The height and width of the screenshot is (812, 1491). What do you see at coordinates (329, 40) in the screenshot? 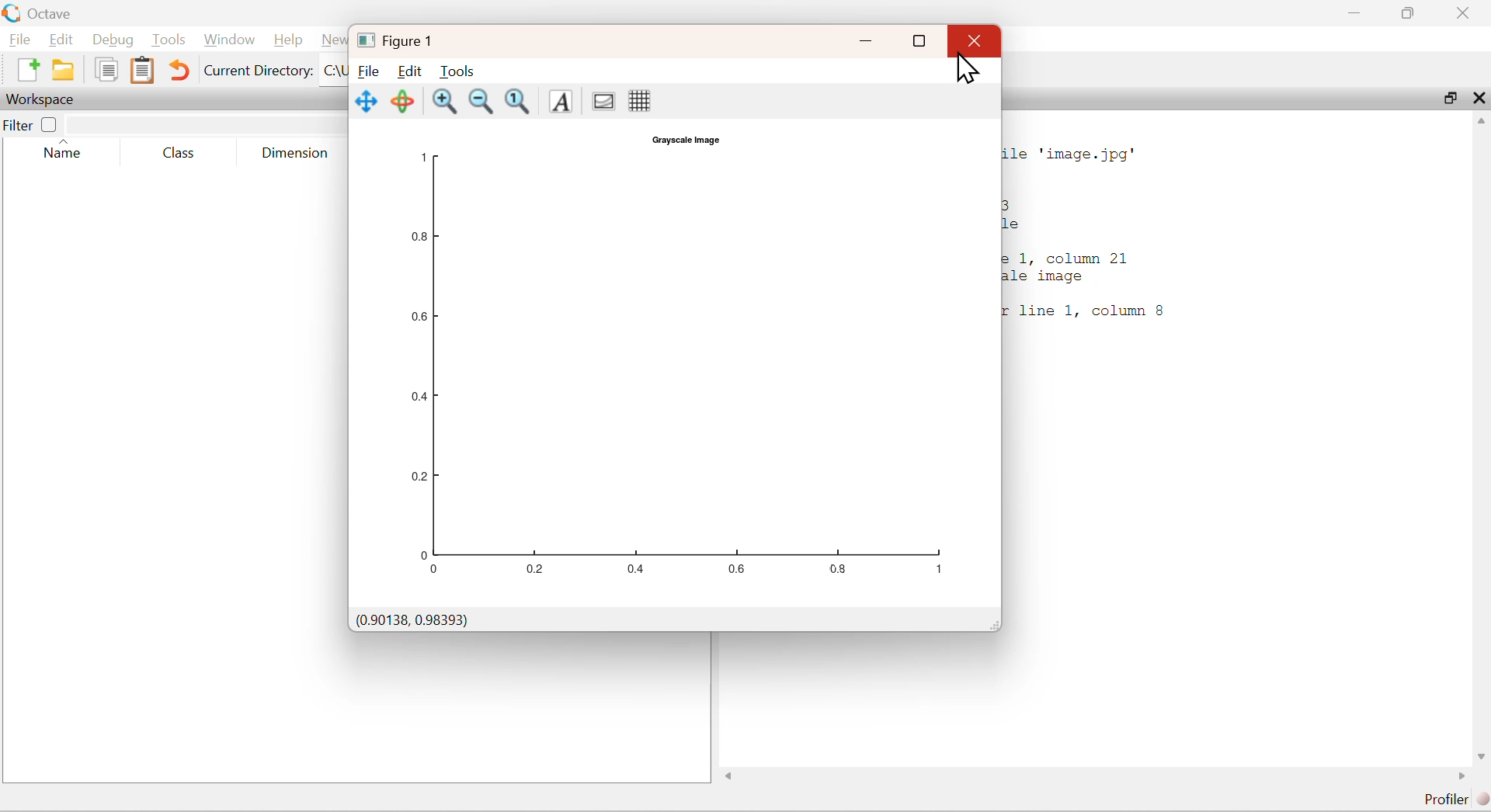
I see `News` at bounding box center [329, 40].